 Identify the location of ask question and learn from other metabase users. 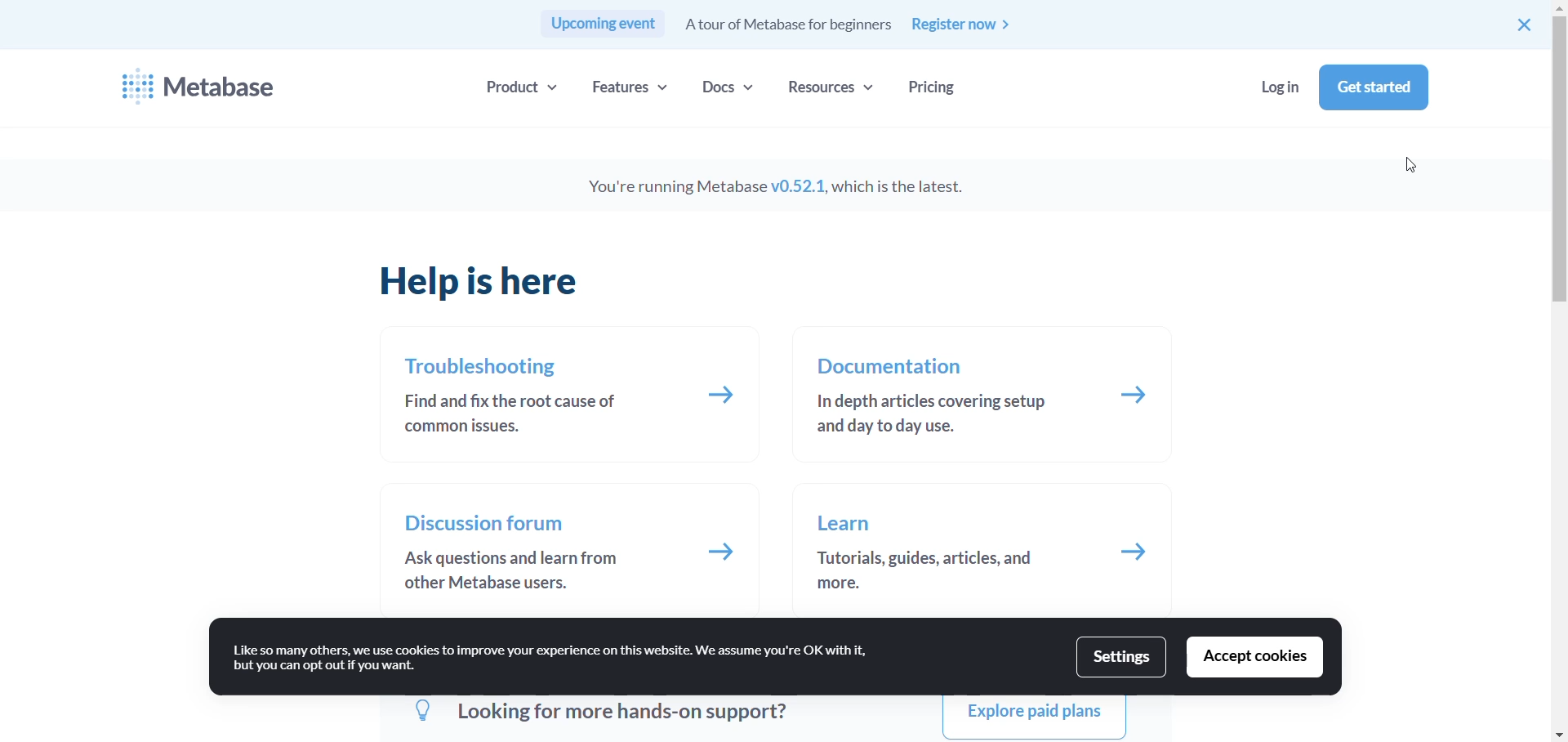
(502, 571).